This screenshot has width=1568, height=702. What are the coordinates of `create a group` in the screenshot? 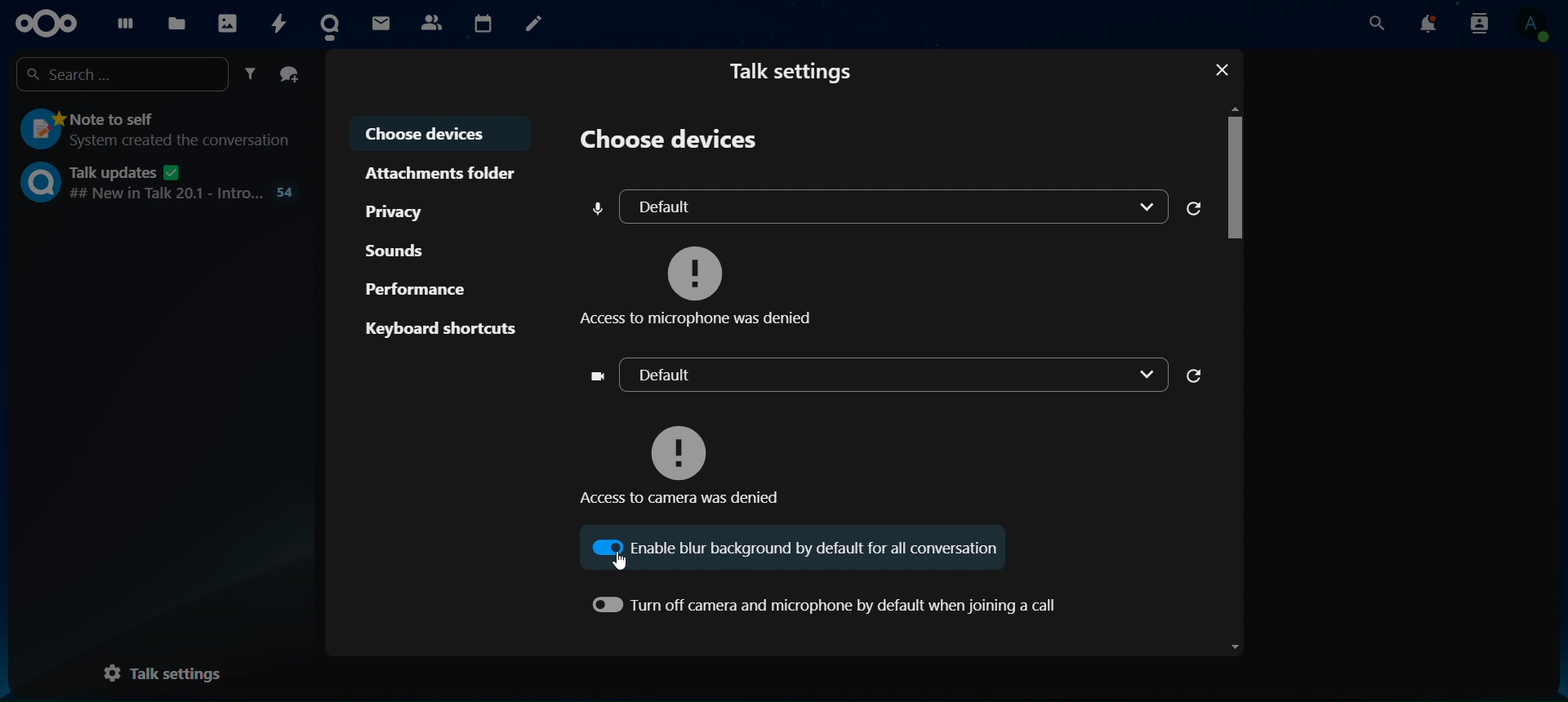 It's located at (289, 72).